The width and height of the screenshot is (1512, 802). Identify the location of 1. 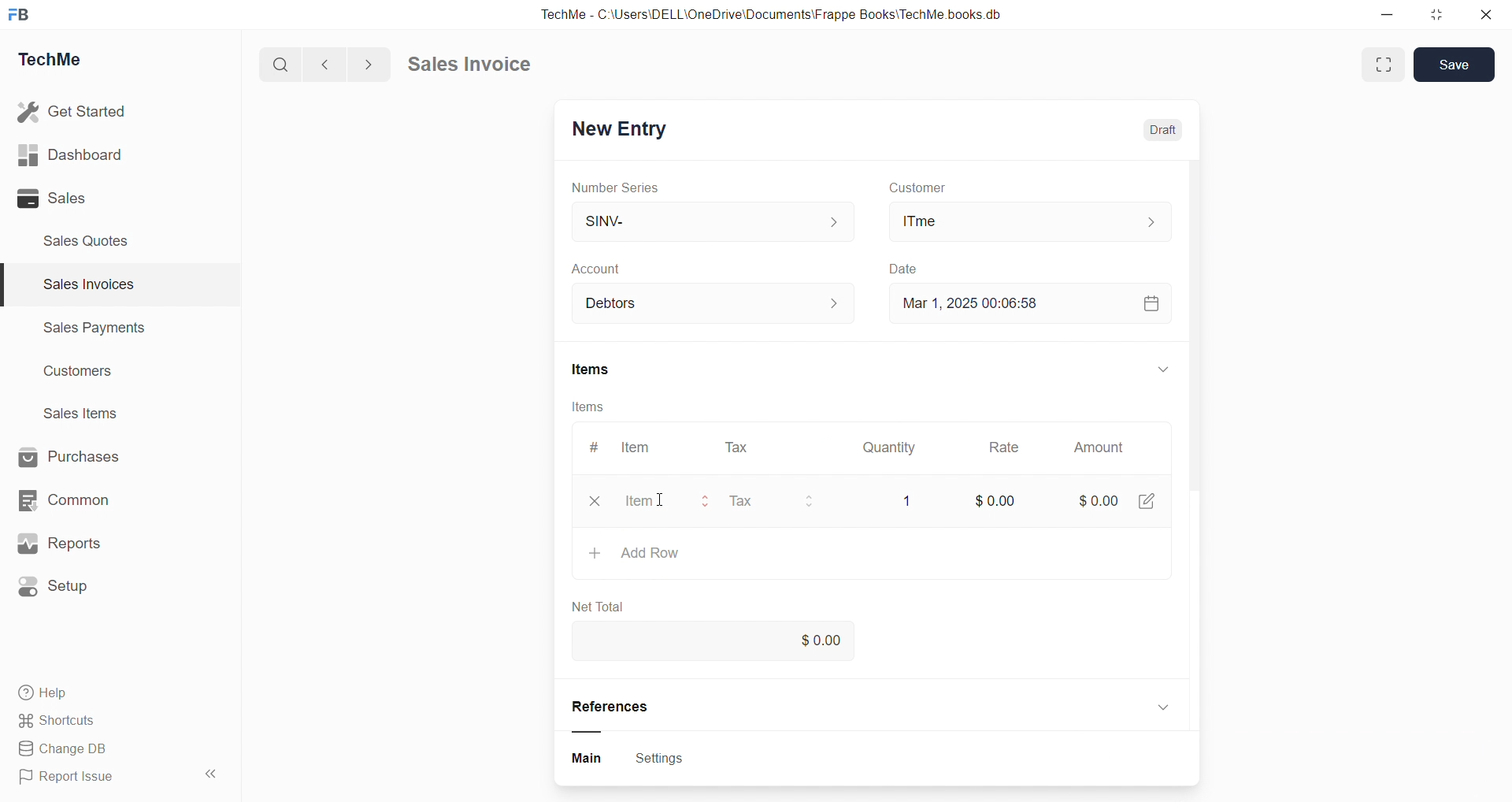
(903, 496).